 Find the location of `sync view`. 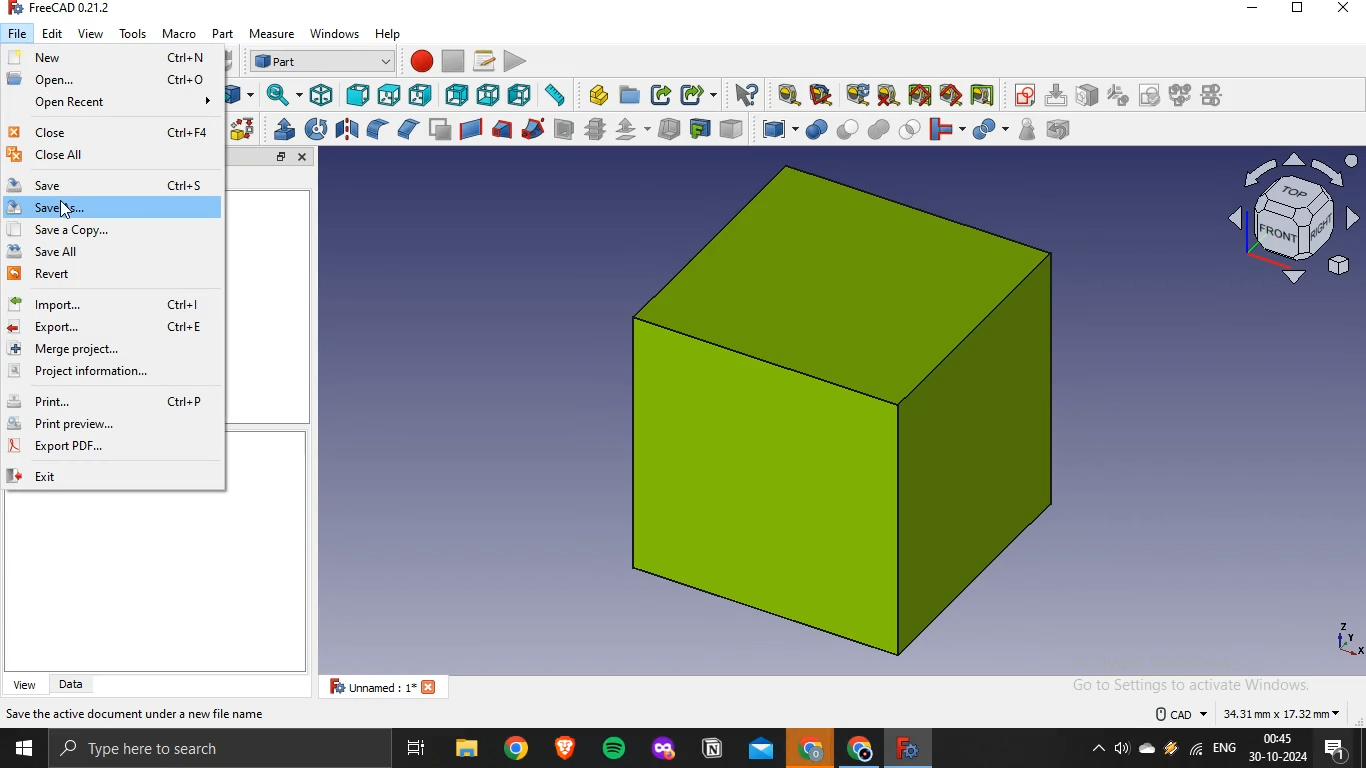

sync view is located at coordinates (283, 94).